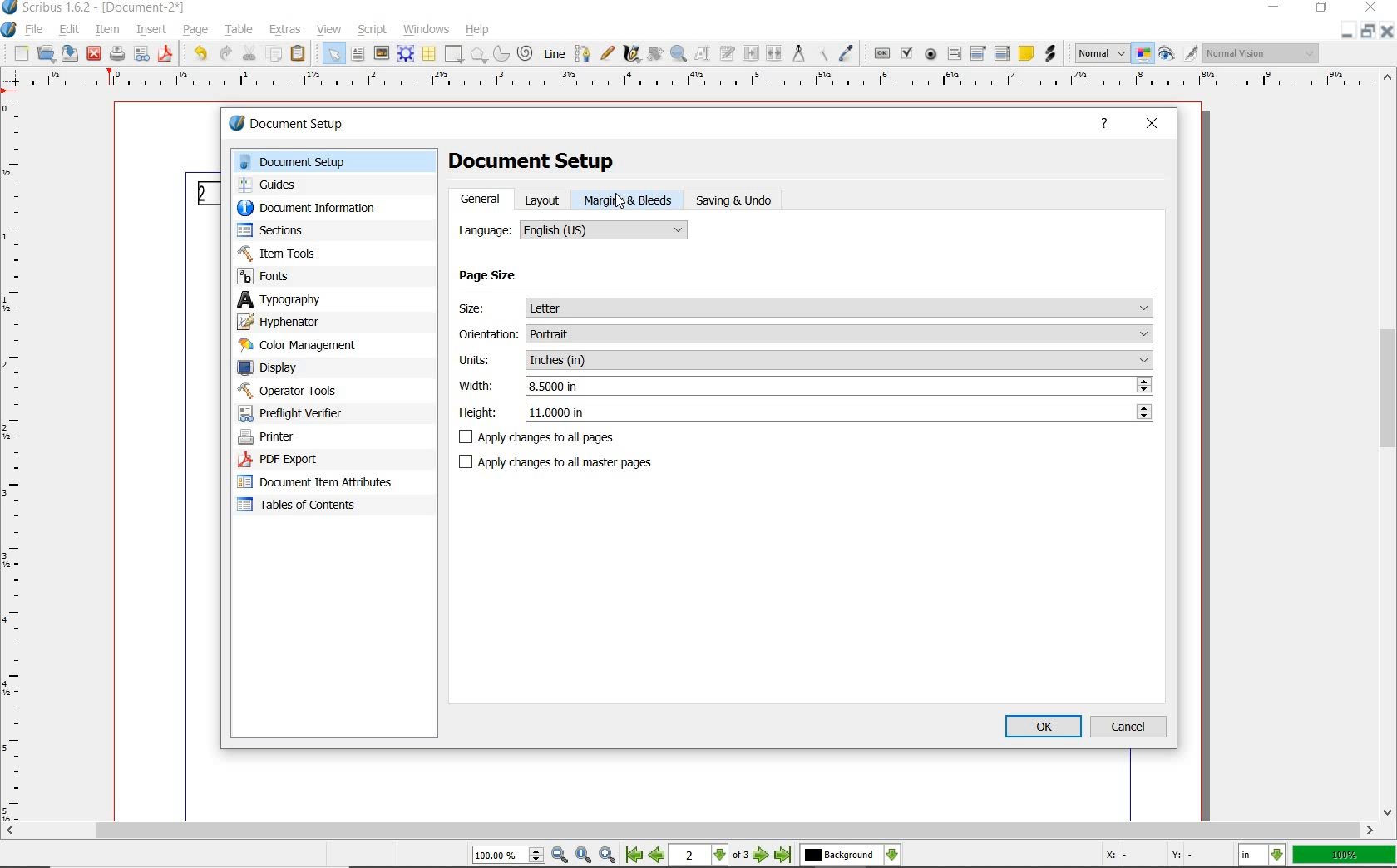 The image size is (1397, 868). Describe the element at coordinates (380, 54) in the screenshot. I see `image frame` at that location.